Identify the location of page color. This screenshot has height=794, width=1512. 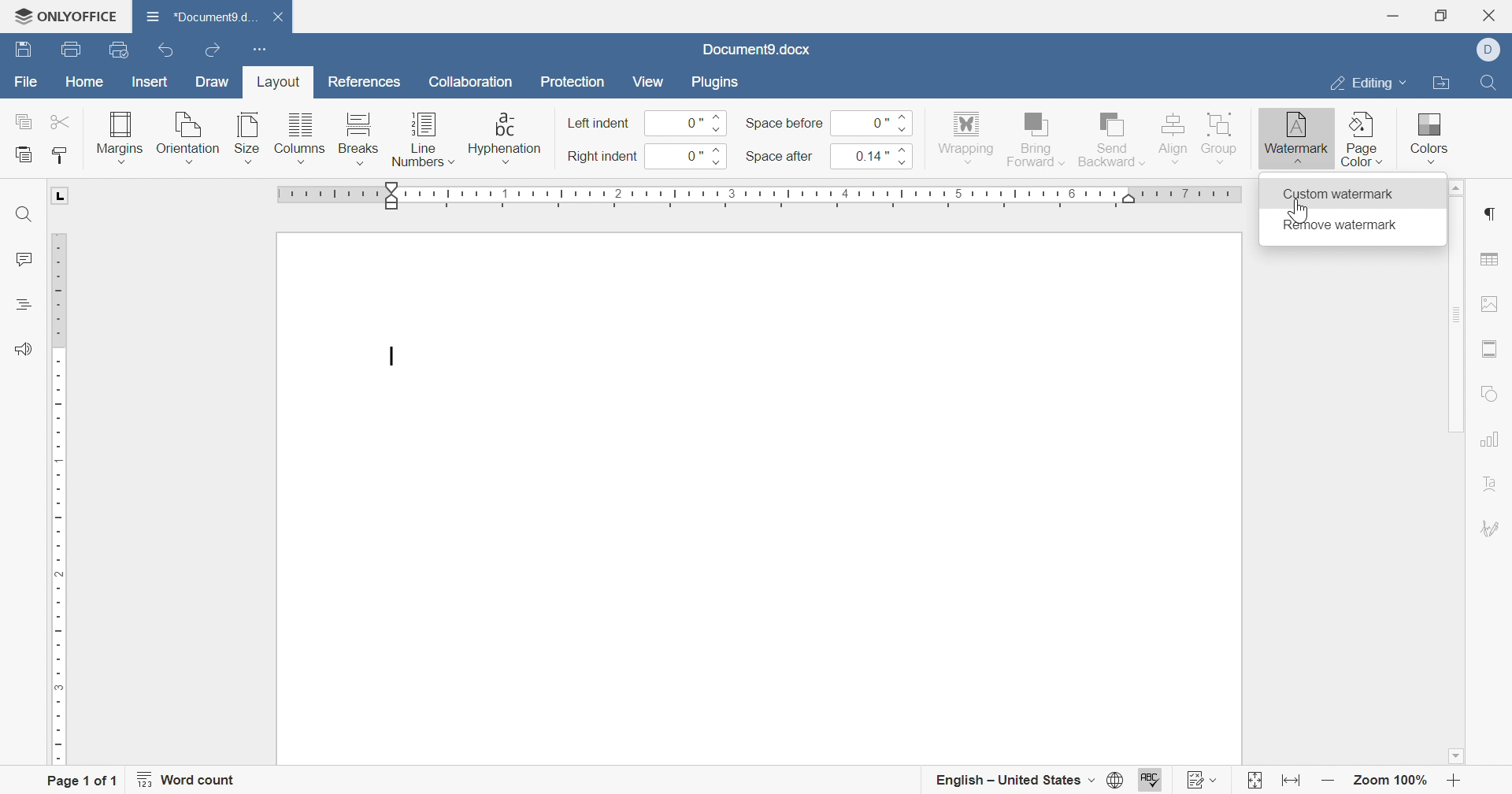
(1363, 139).